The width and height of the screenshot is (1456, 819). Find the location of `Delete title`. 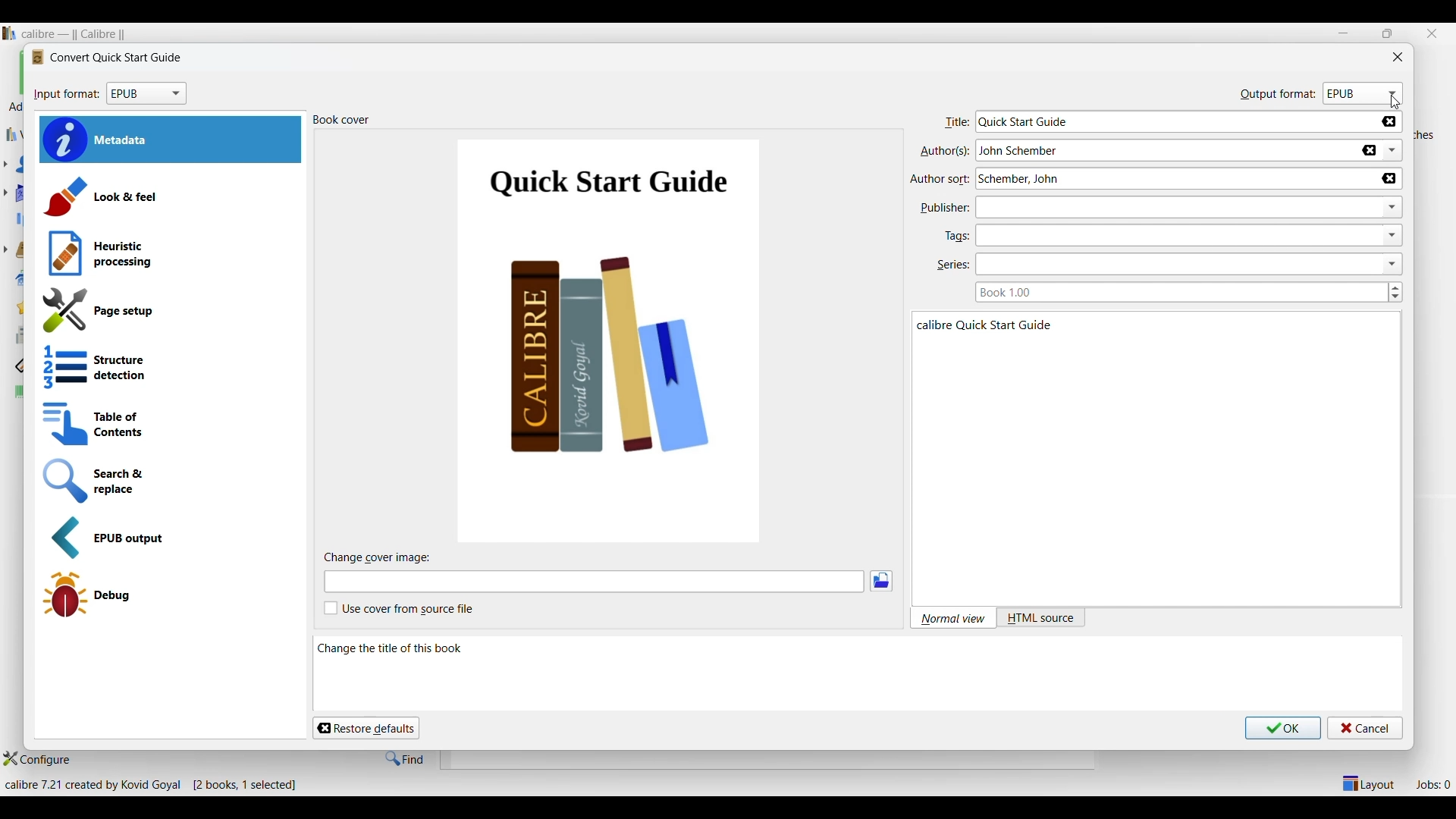

Delete title is located at coordinates (1390, 122).